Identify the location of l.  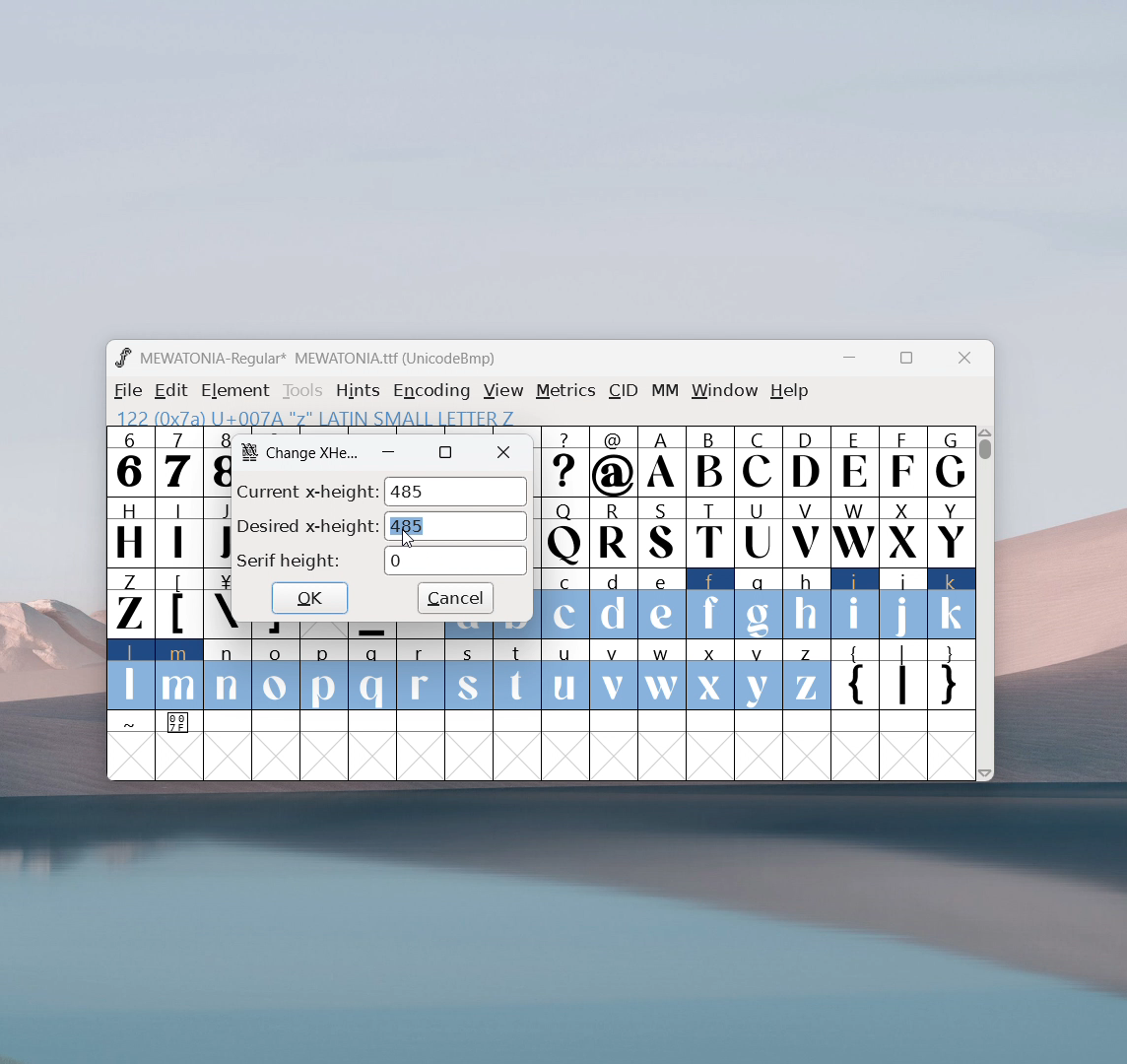
(131, 674).